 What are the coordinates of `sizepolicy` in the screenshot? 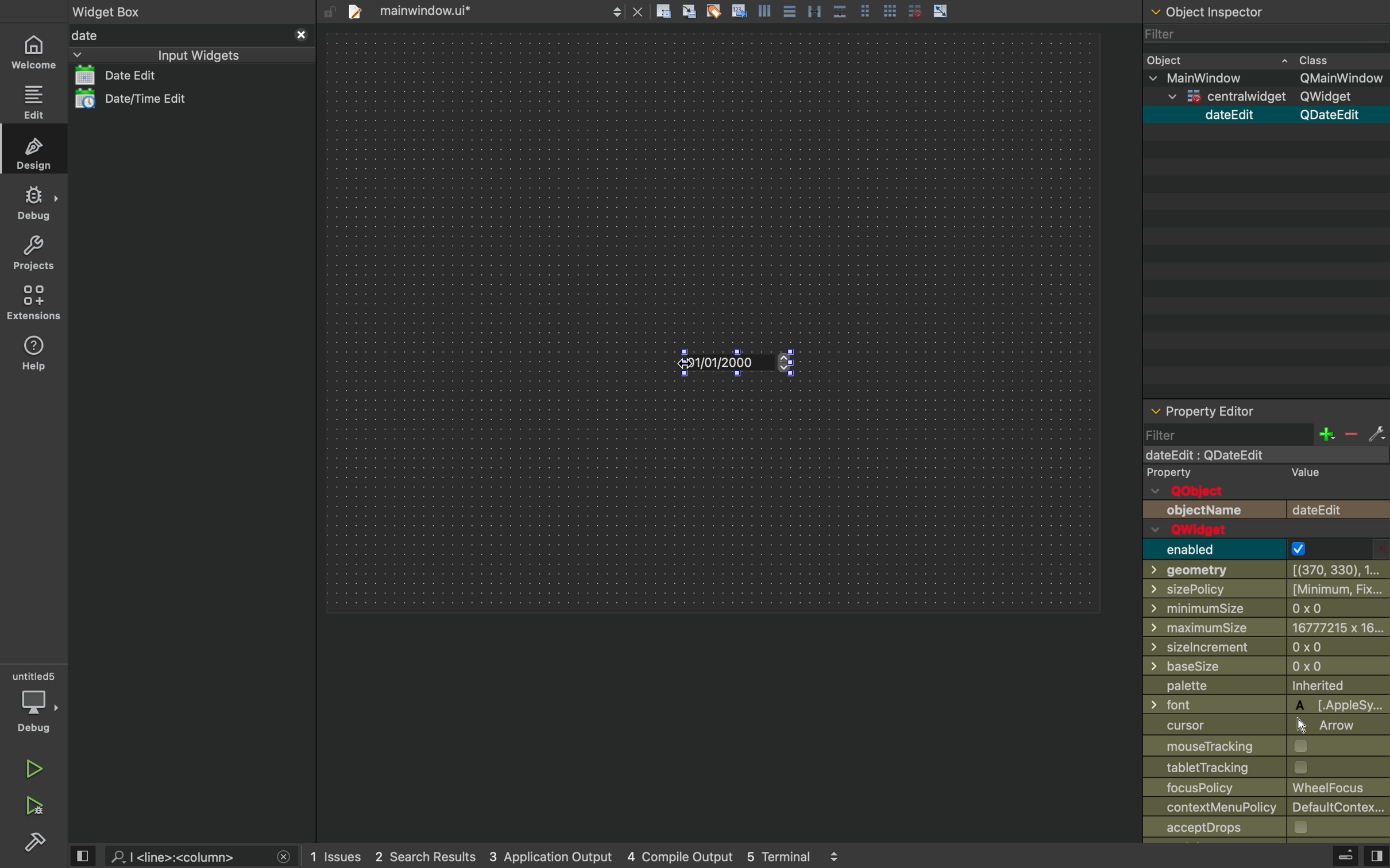 It's located at (1262, 590).